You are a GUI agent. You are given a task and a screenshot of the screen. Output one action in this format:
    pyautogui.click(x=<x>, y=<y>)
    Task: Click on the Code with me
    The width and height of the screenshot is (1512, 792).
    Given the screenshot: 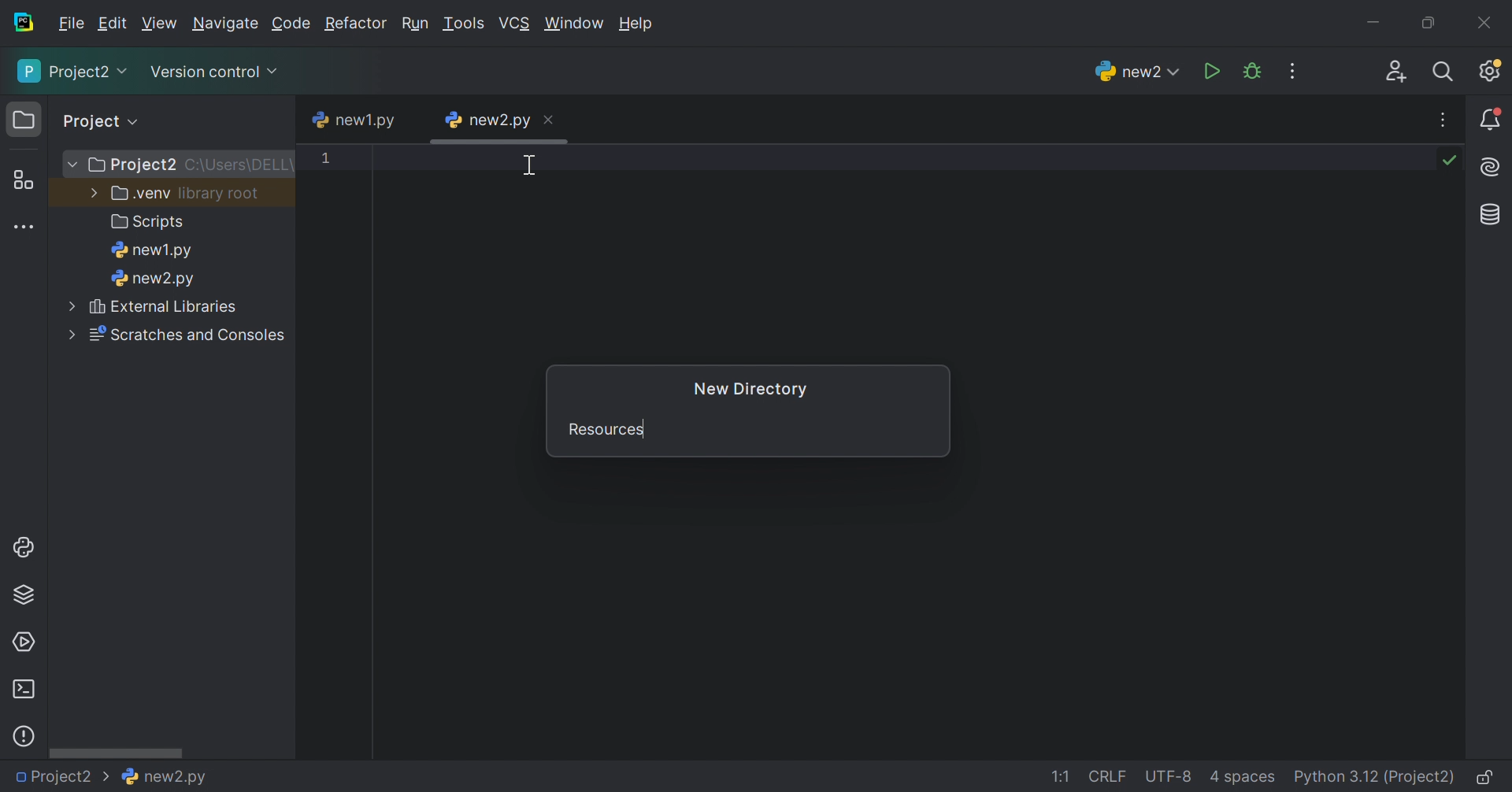 What is the action you would take?
    pyautogui.click(x=1395, y=72)
    